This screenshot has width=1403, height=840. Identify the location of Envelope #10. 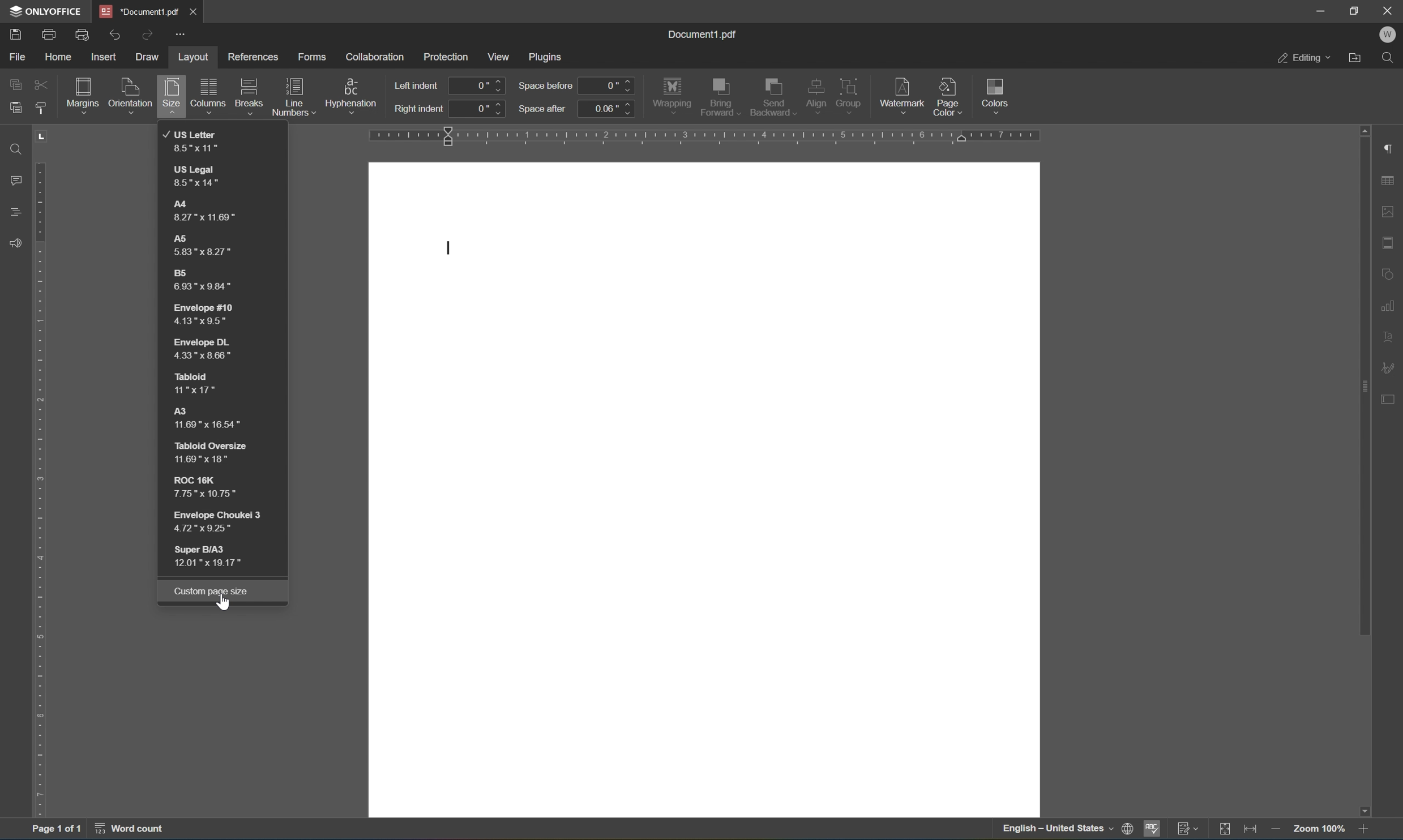
(200, 317).